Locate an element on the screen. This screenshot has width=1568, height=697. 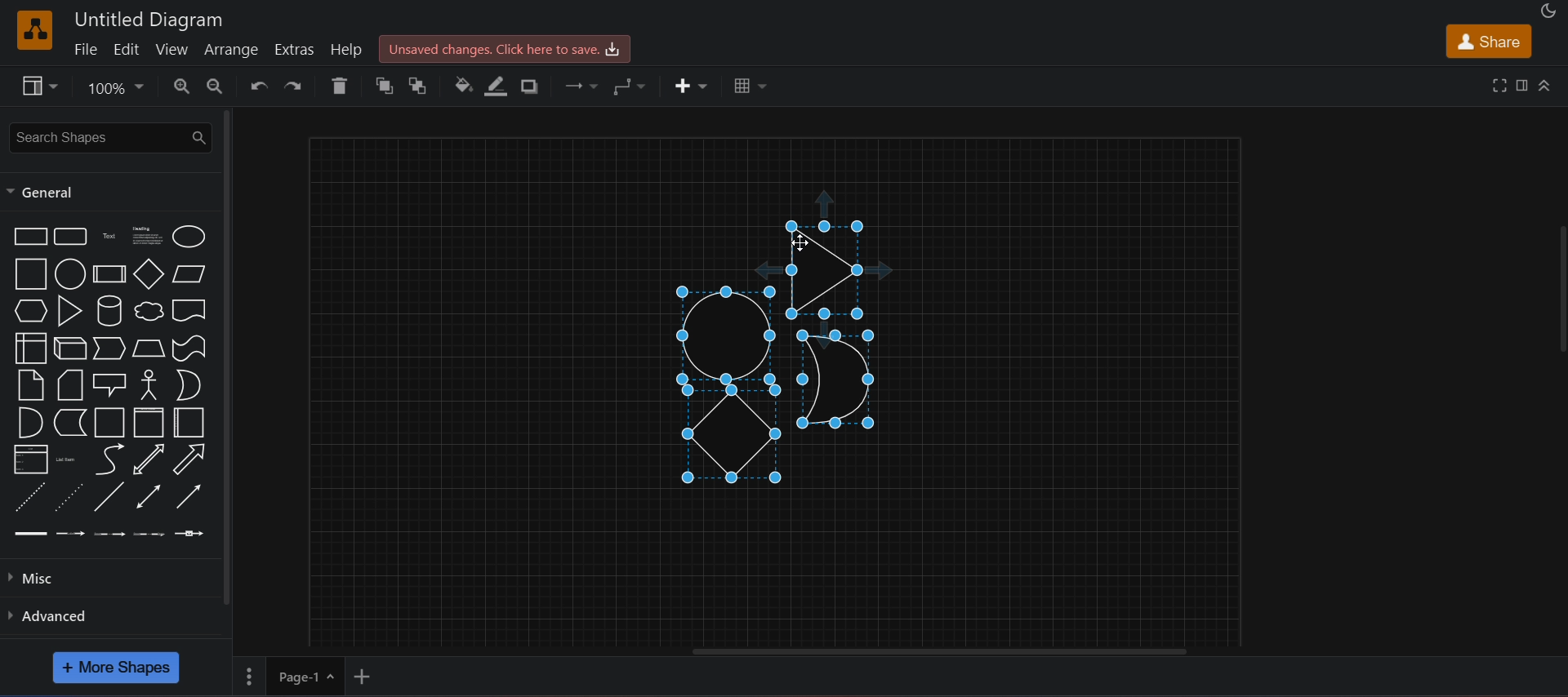
to back is located at coordinates (424, 86).